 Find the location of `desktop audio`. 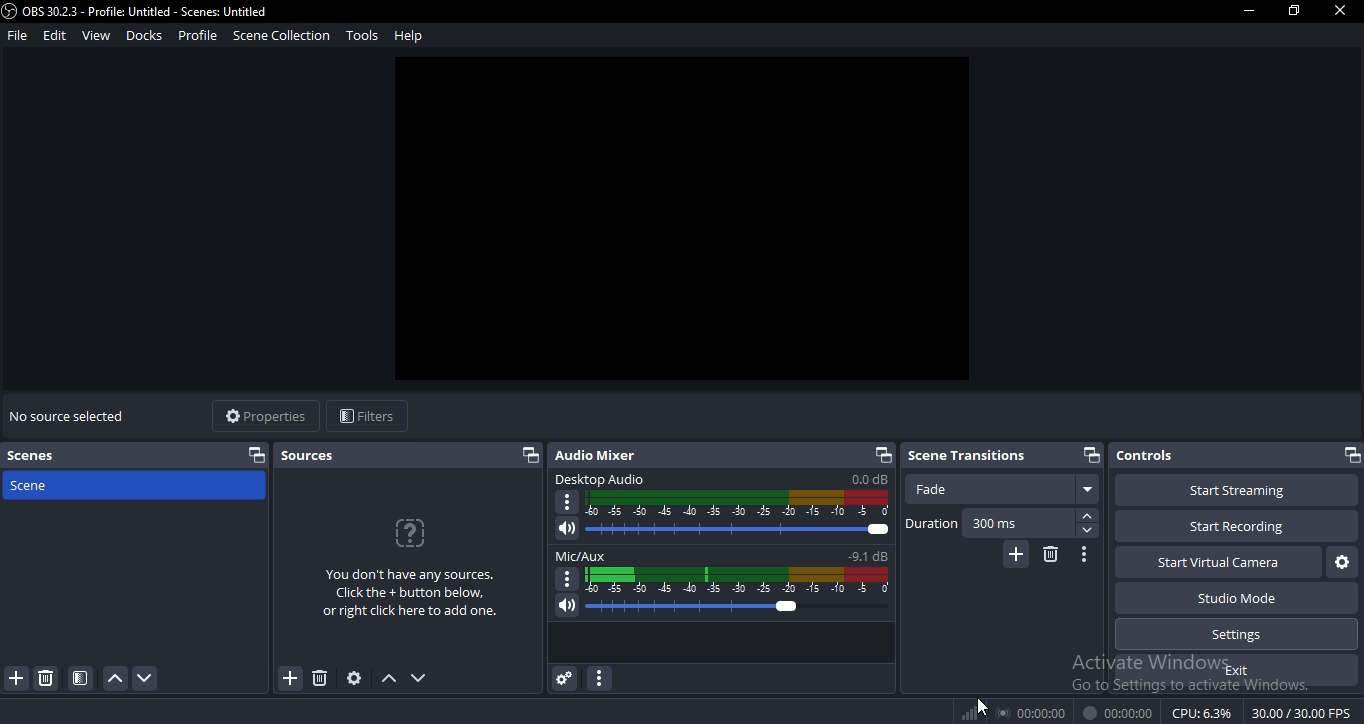

desktop audio is located at coordinates (719, 480).